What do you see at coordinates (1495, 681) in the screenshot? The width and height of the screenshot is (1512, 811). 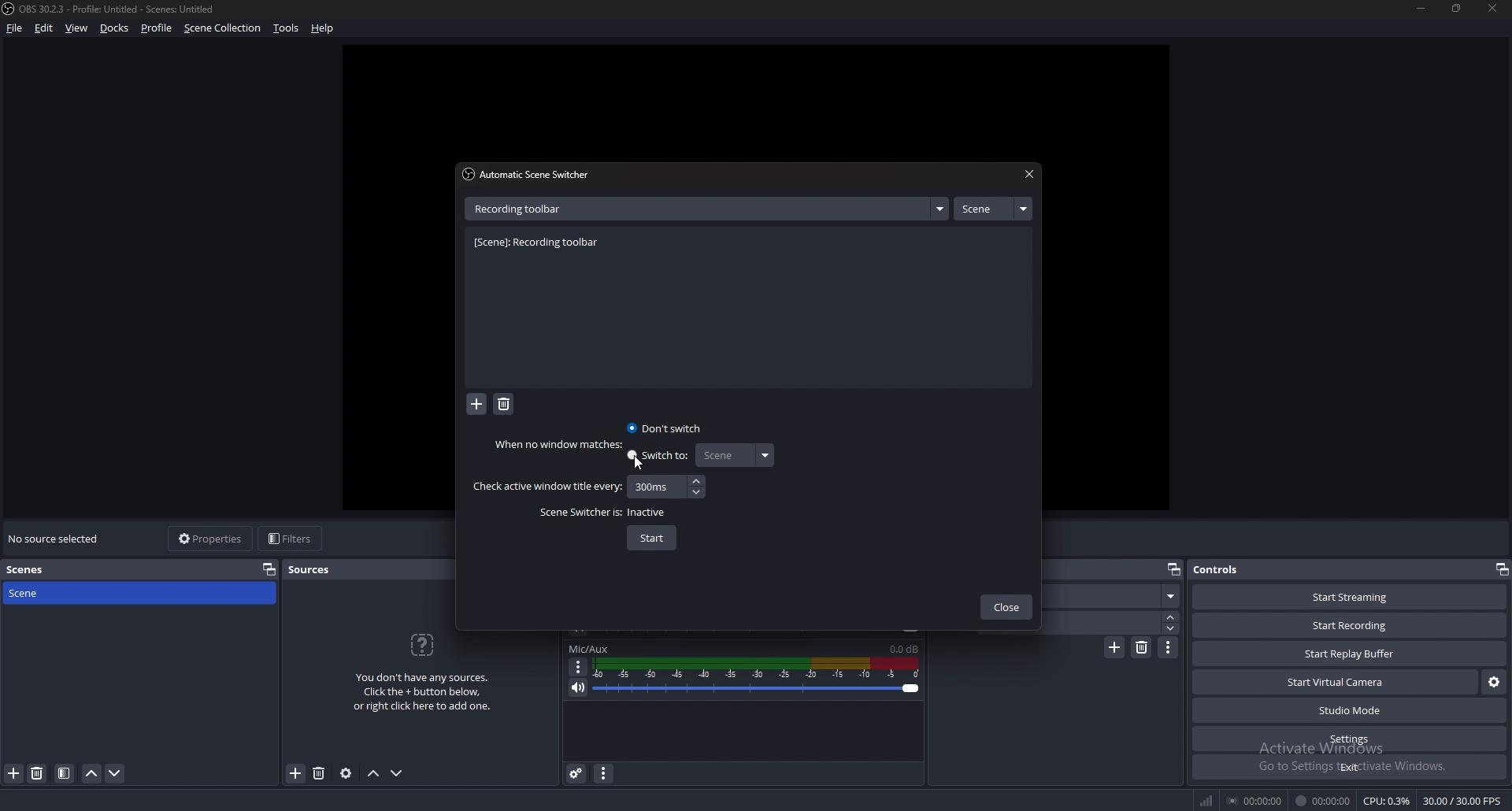 I see `configure virtual camera` at bounding box center [1495, 681].